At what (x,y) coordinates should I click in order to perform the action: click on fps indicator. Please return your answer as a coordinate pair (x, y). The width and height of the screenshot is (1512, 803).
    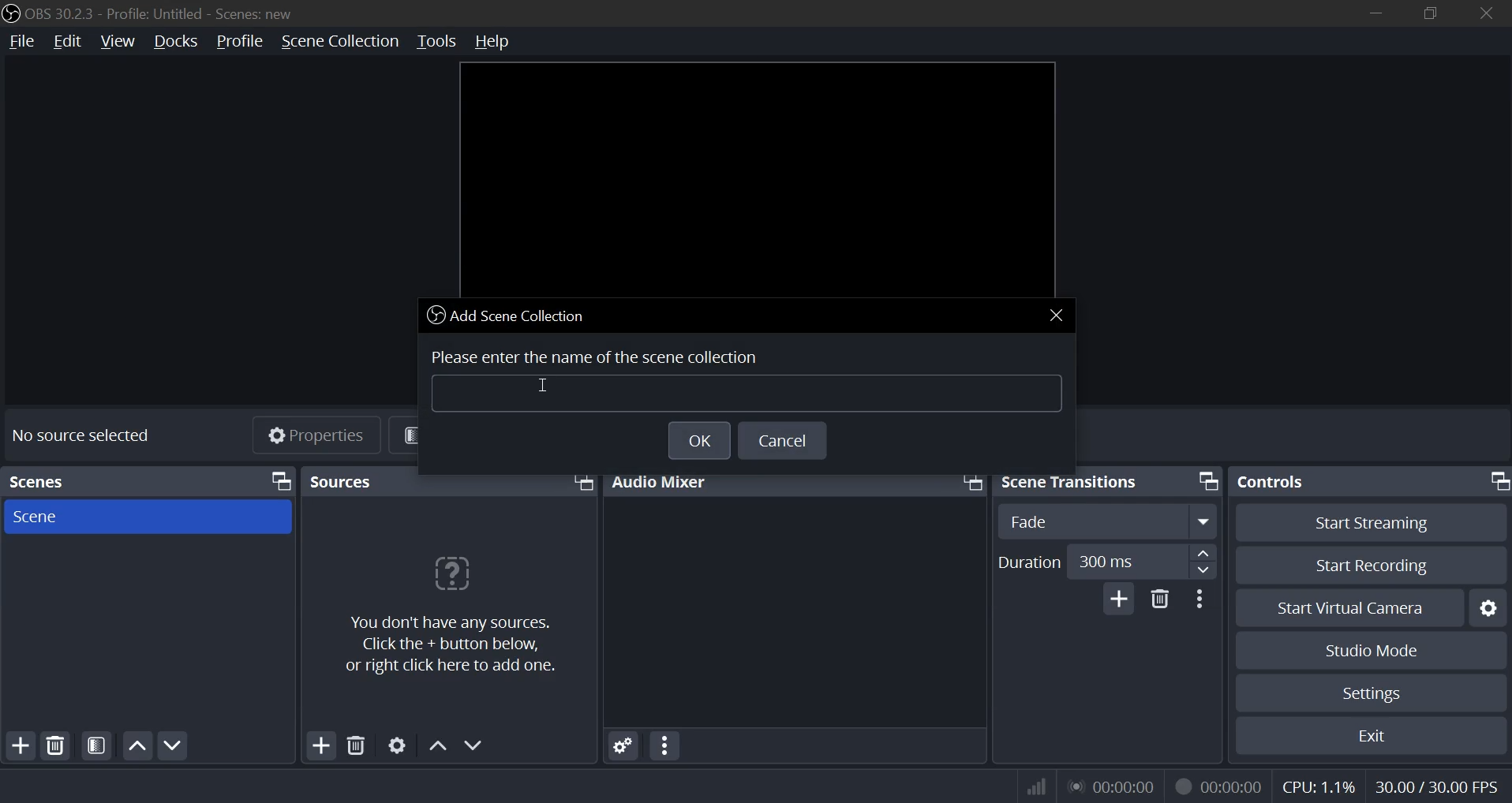
    Looking at the image, I should click on (1435, 785).